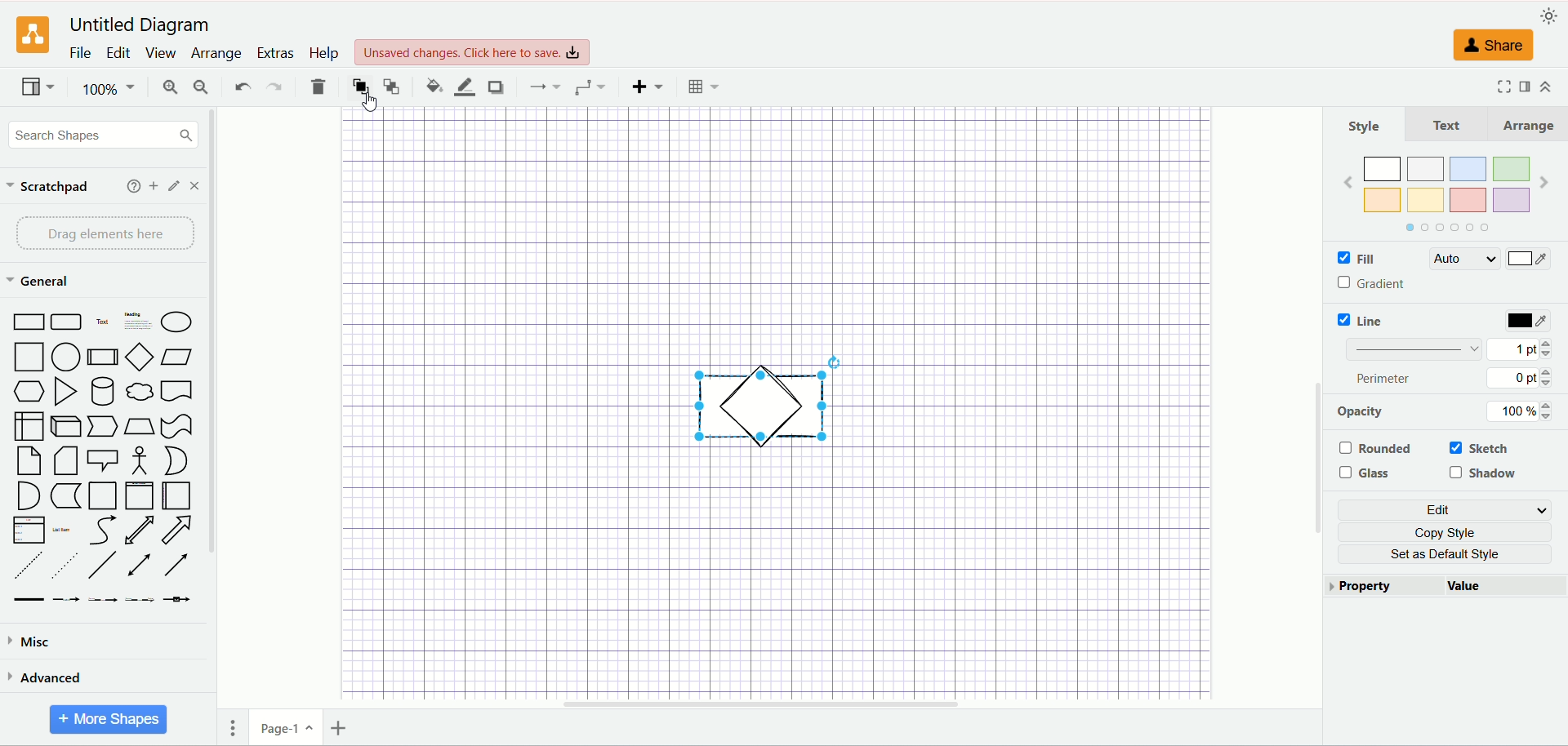  What do you see at coordinates (68, 461) in the screenshot?
I see `Card` at bounding box center [68, 461].